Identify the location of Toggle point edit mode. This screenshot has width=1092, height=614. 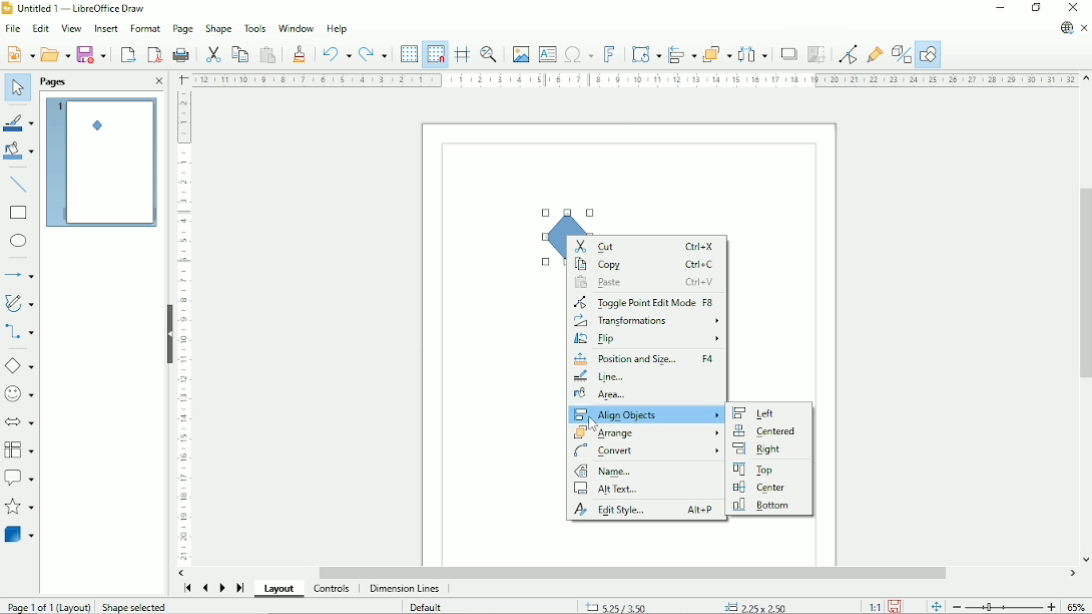
(848, 54).